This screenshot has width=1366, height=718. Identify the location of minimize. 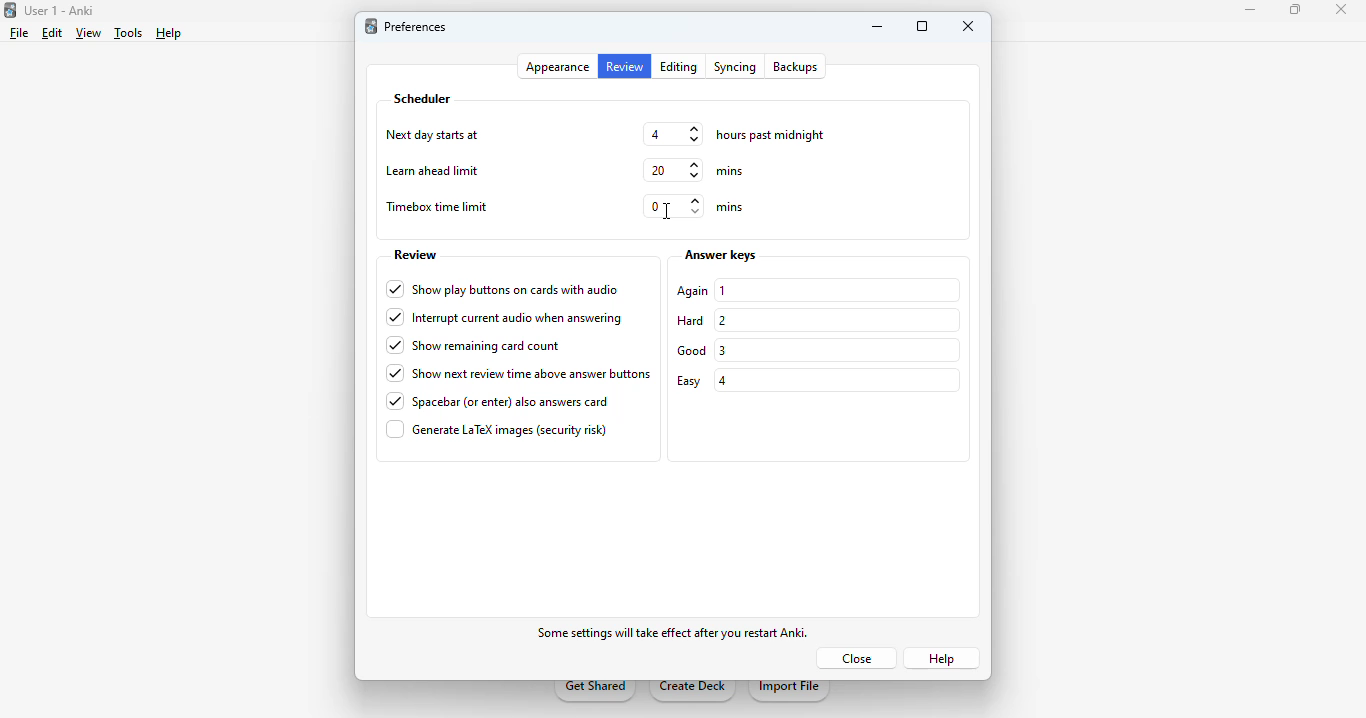
(1252, 10).